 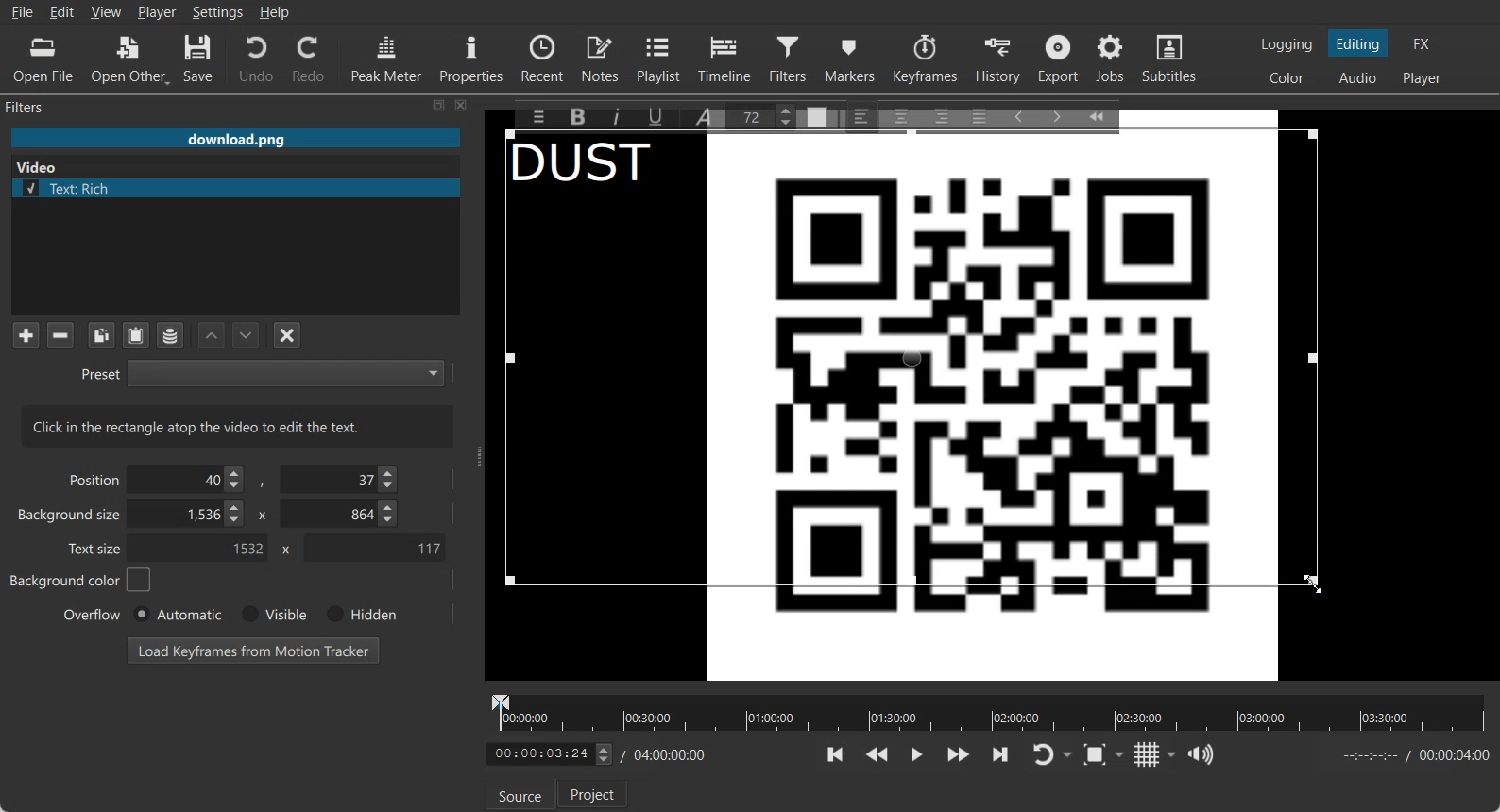 What do you see at coordinates (191, 480) in the screenshot?
I see `Position Adjuster X- Coordinate` at bounding box center [191, 480].